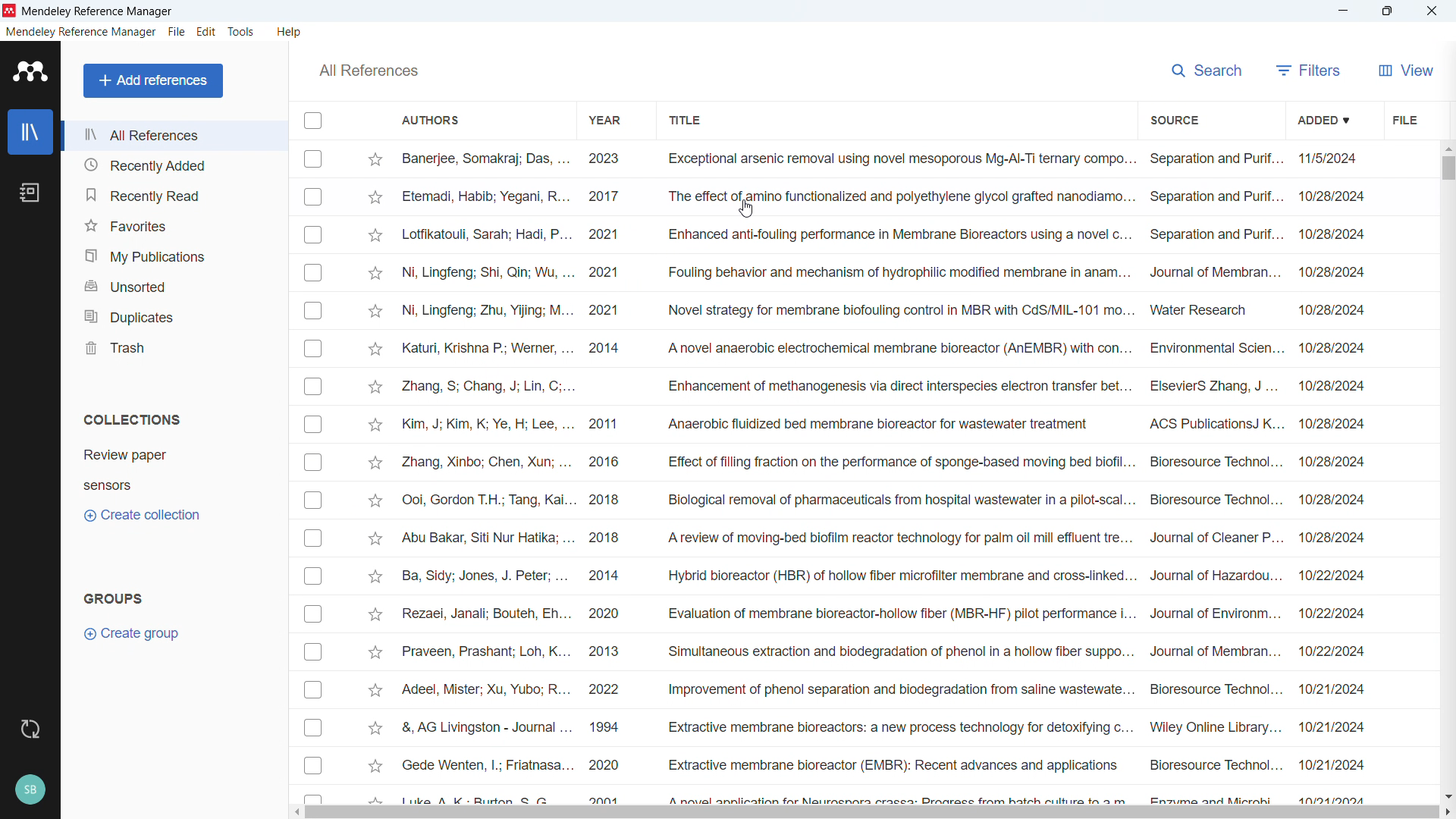  What do you see at coordinates (99, 11) in the screenshot?
I see `mendeley reference manager` at bounding box center [99, 11].